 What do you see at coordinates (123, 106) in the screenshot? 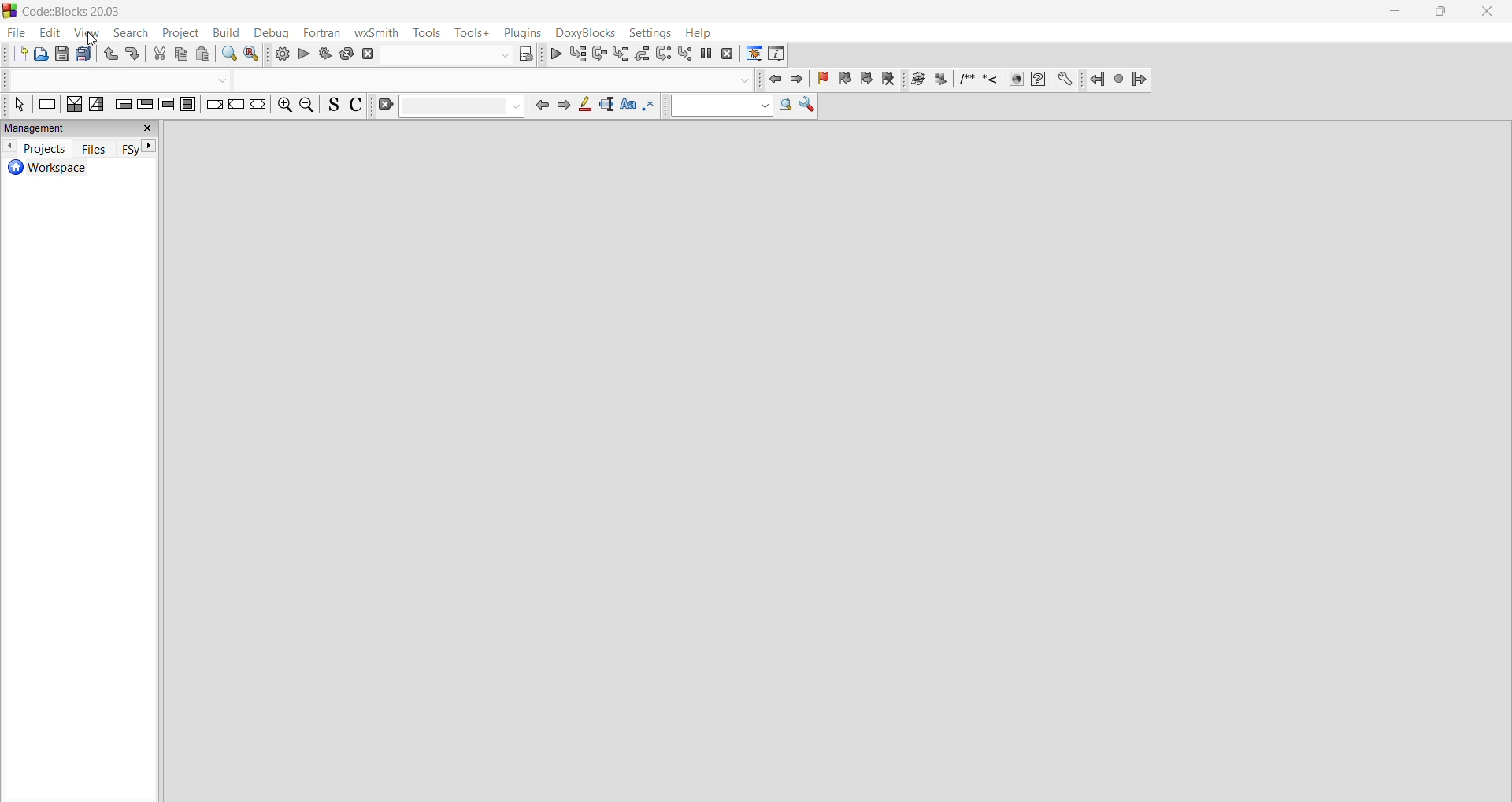
I see `entry conditional loop` at bounding box center [123, 106].